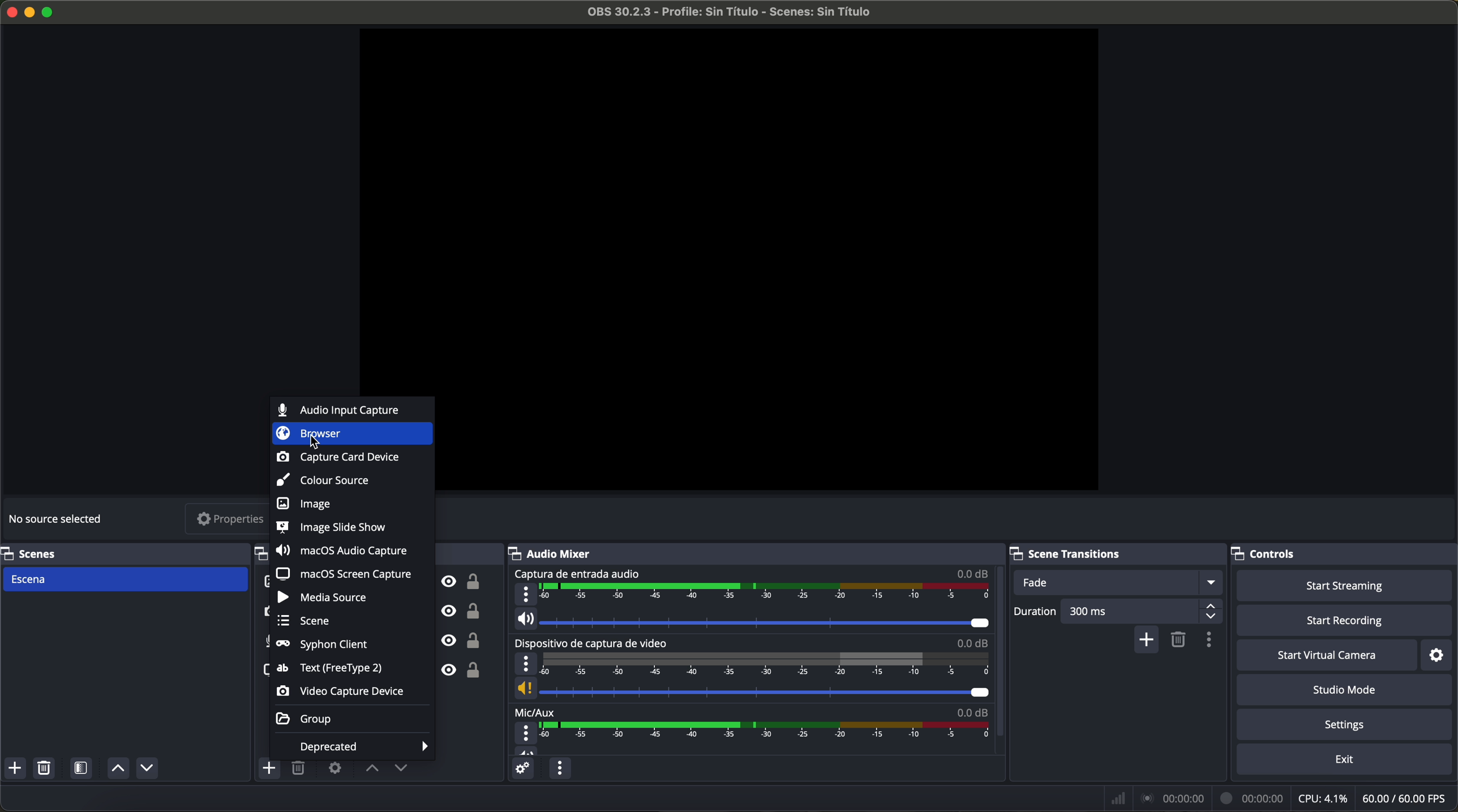  What do you see at coordinates (593, 643) in the screenshot?
I see `video capture device` at bounding box center [593, 643].